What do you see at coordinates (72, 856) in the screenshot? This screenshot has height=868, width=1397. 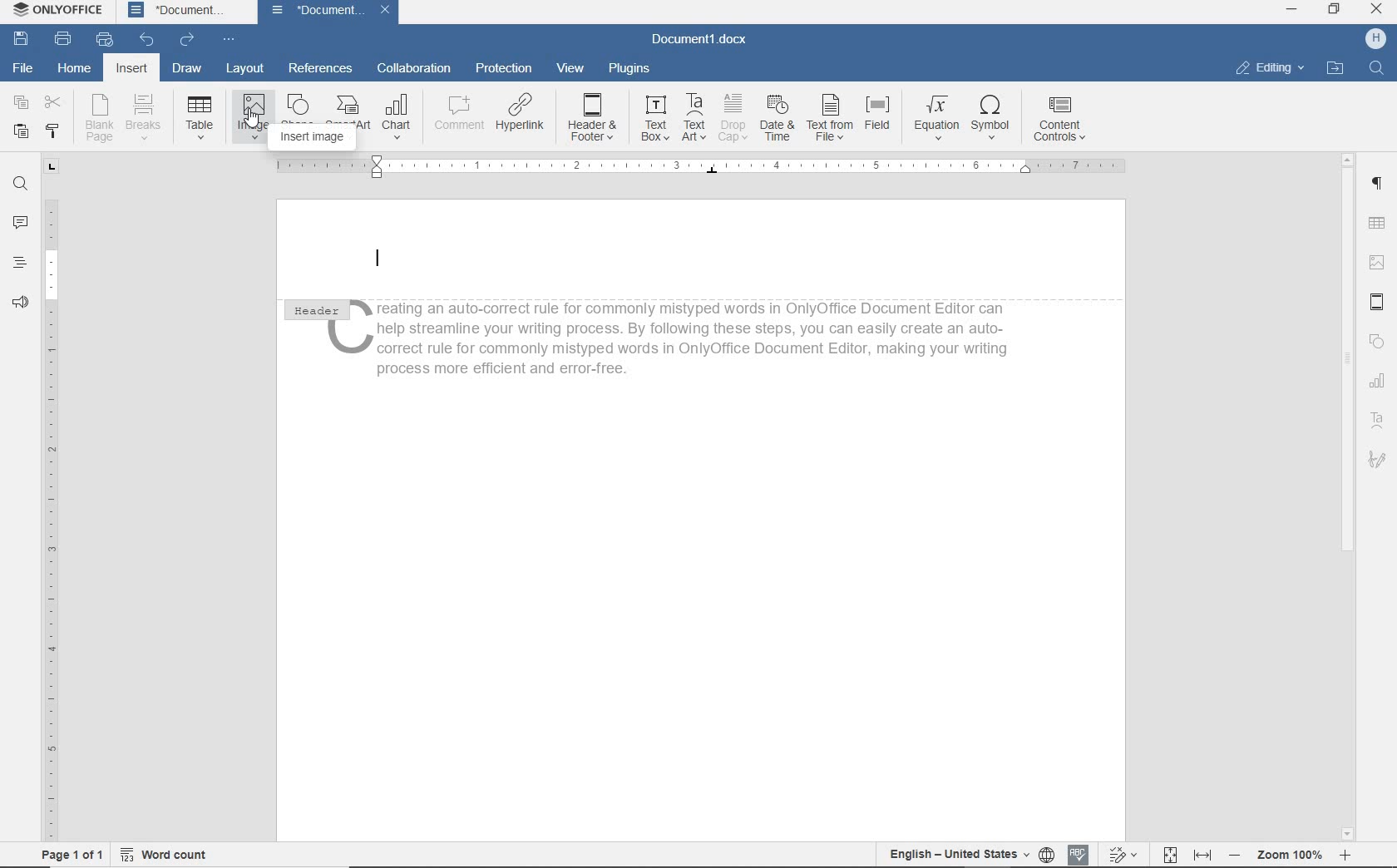 I see `page 1 of 1` at bounding box center [72, 856].